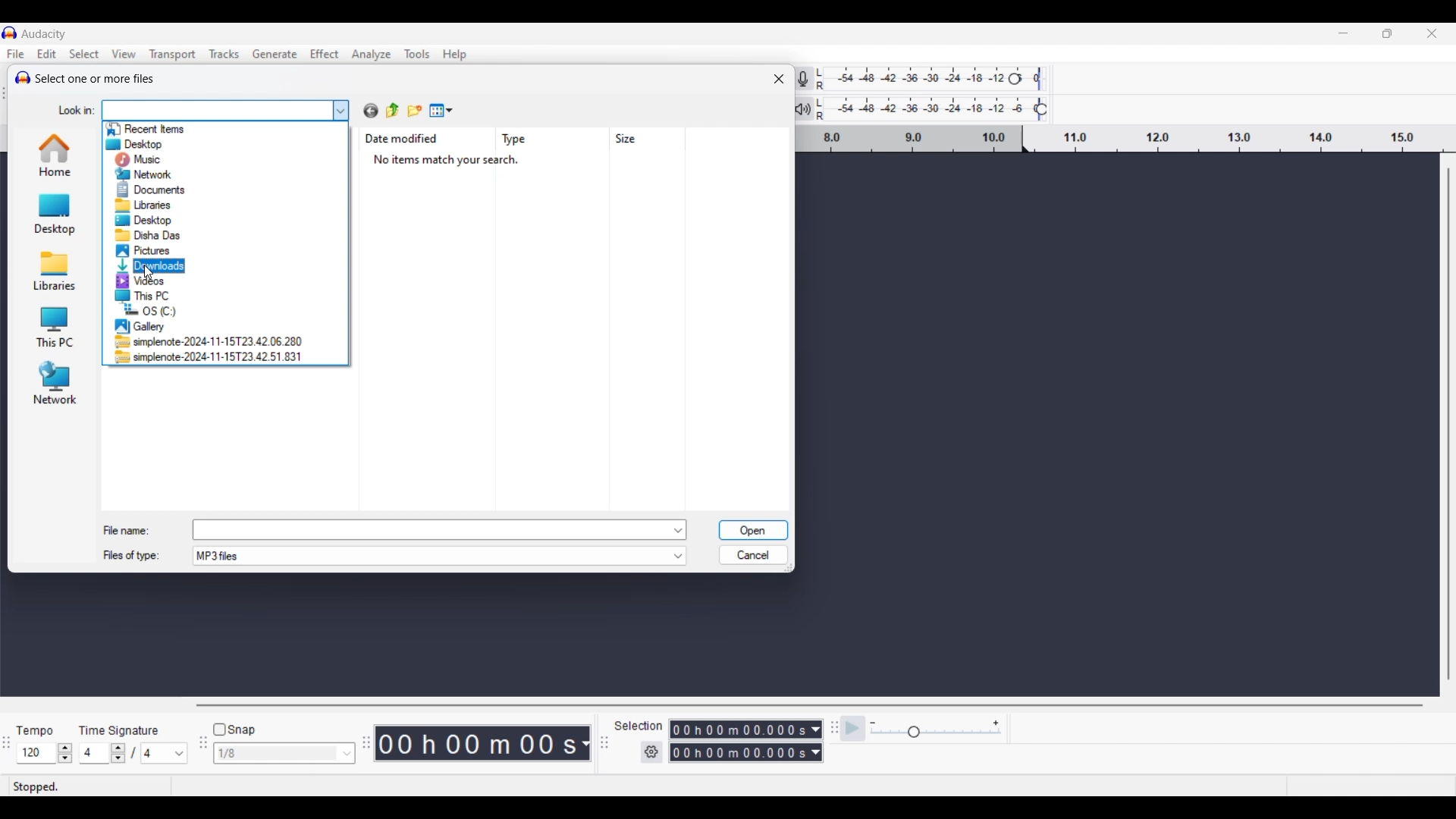  Describe the element at coordinates (37, 754) in the screenshot. I see `Type in tempo` at that location.